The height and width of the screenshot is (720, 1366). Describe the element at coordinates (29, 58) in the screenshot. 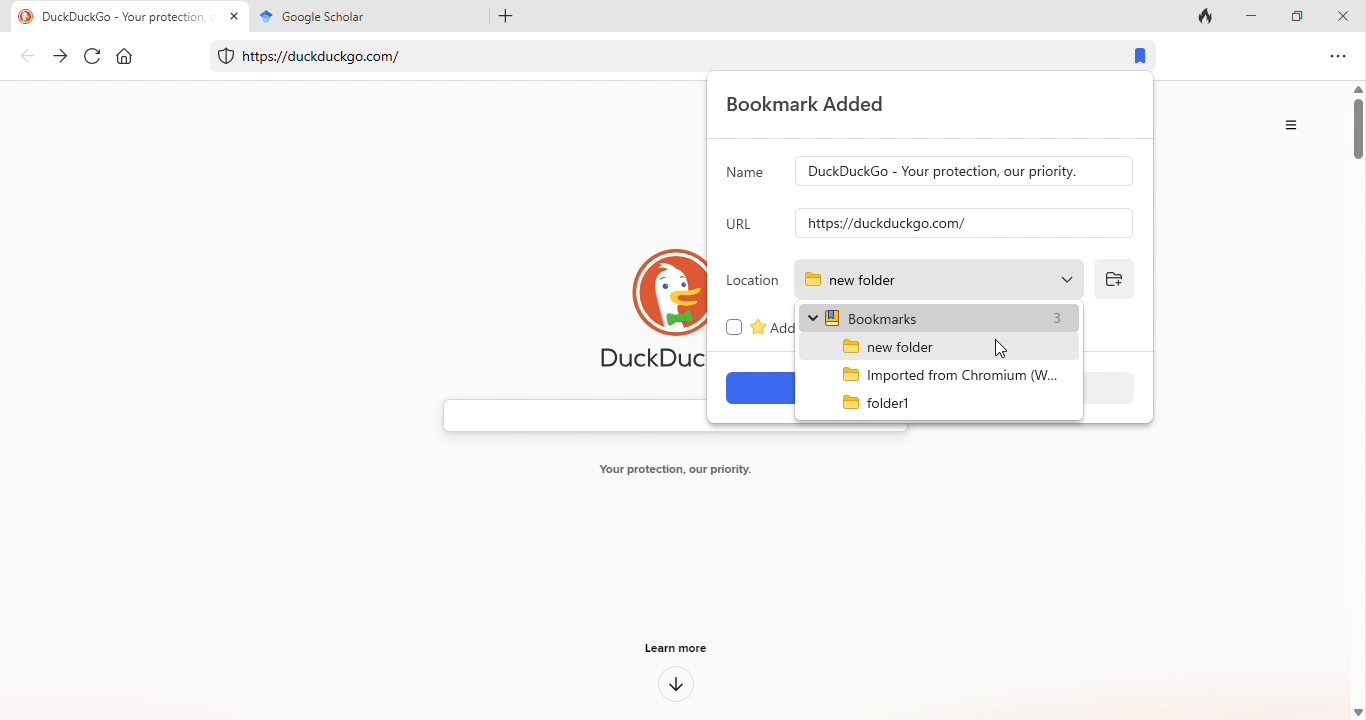

I see `back` at that location.